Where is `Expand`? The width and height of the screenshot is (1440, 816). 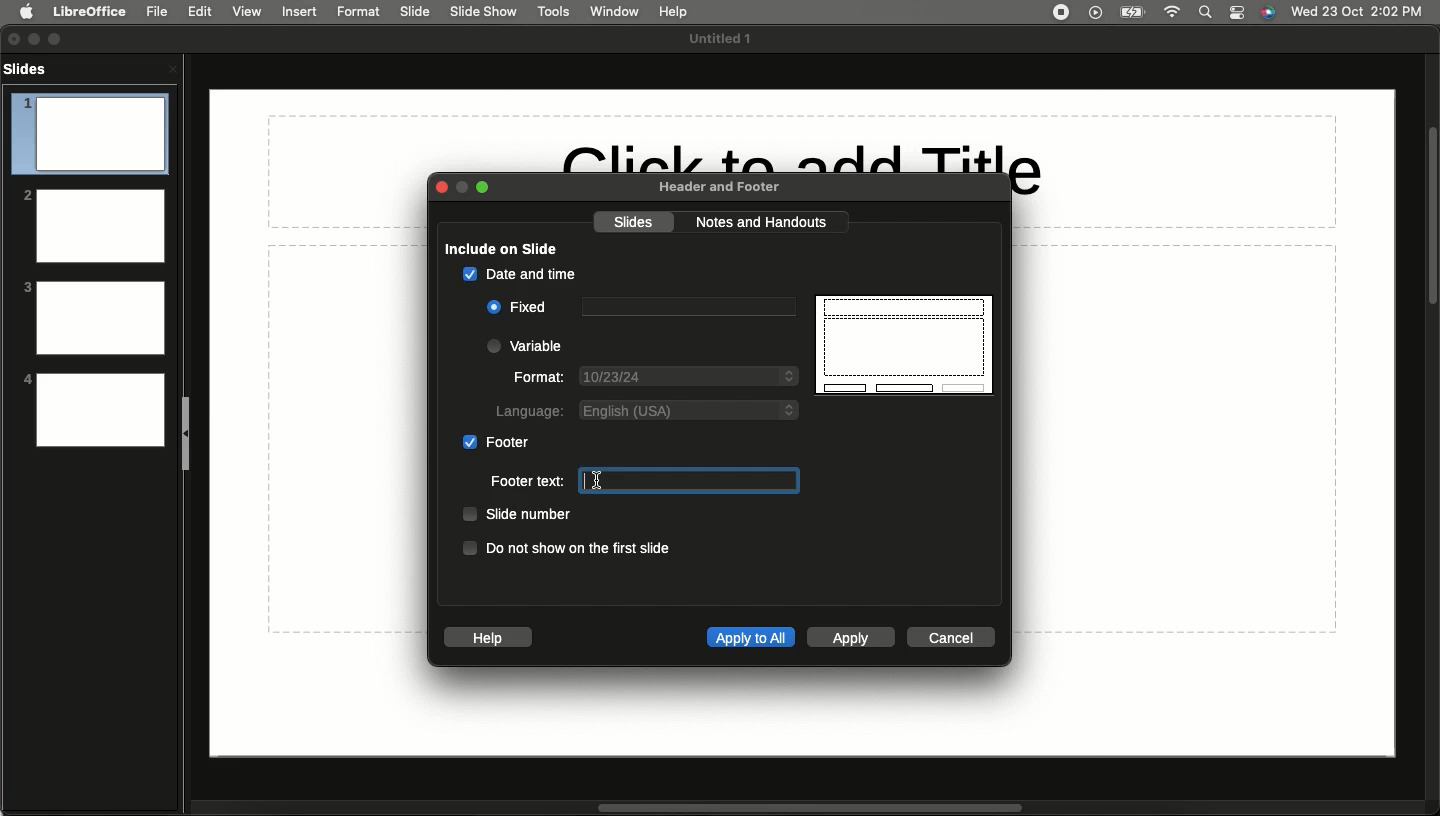 Expand is located at coordinates (490, 187).